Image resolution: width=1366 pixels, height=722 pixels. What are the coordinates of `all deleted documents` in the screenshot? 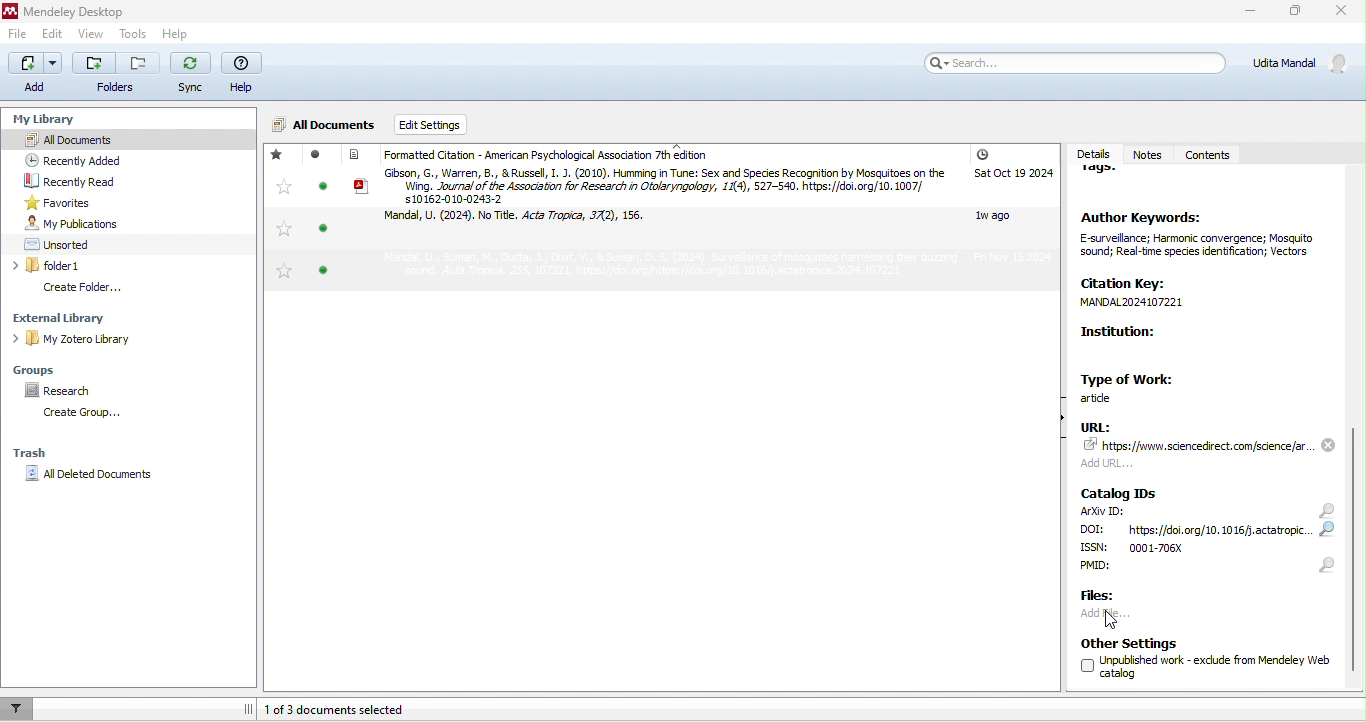 It's located at (100, 477).